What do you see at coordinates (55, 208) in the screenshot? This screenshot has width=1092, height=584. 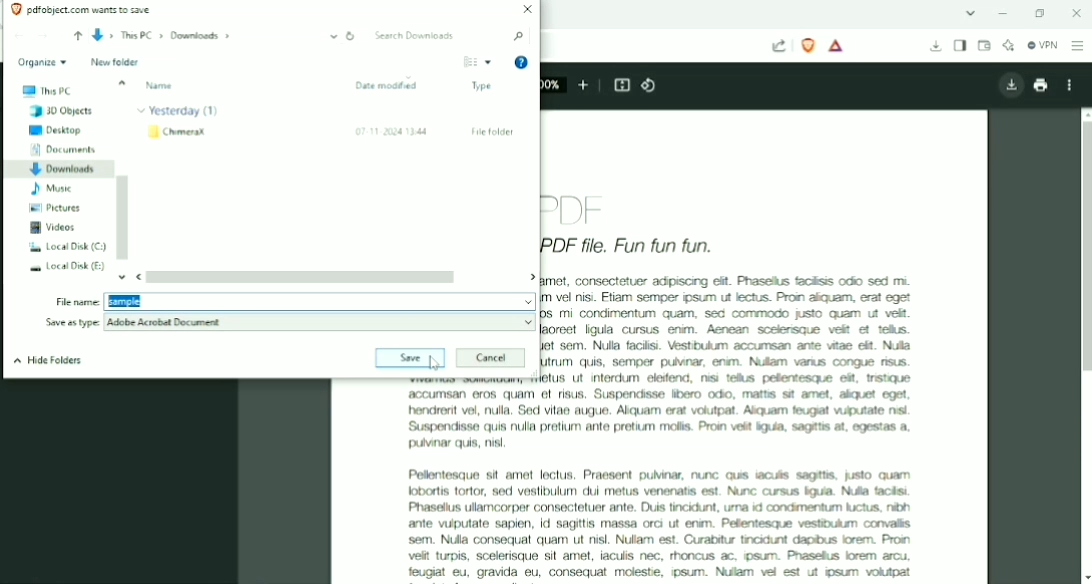 I see `Pictures` at bounding box center [55, 208].